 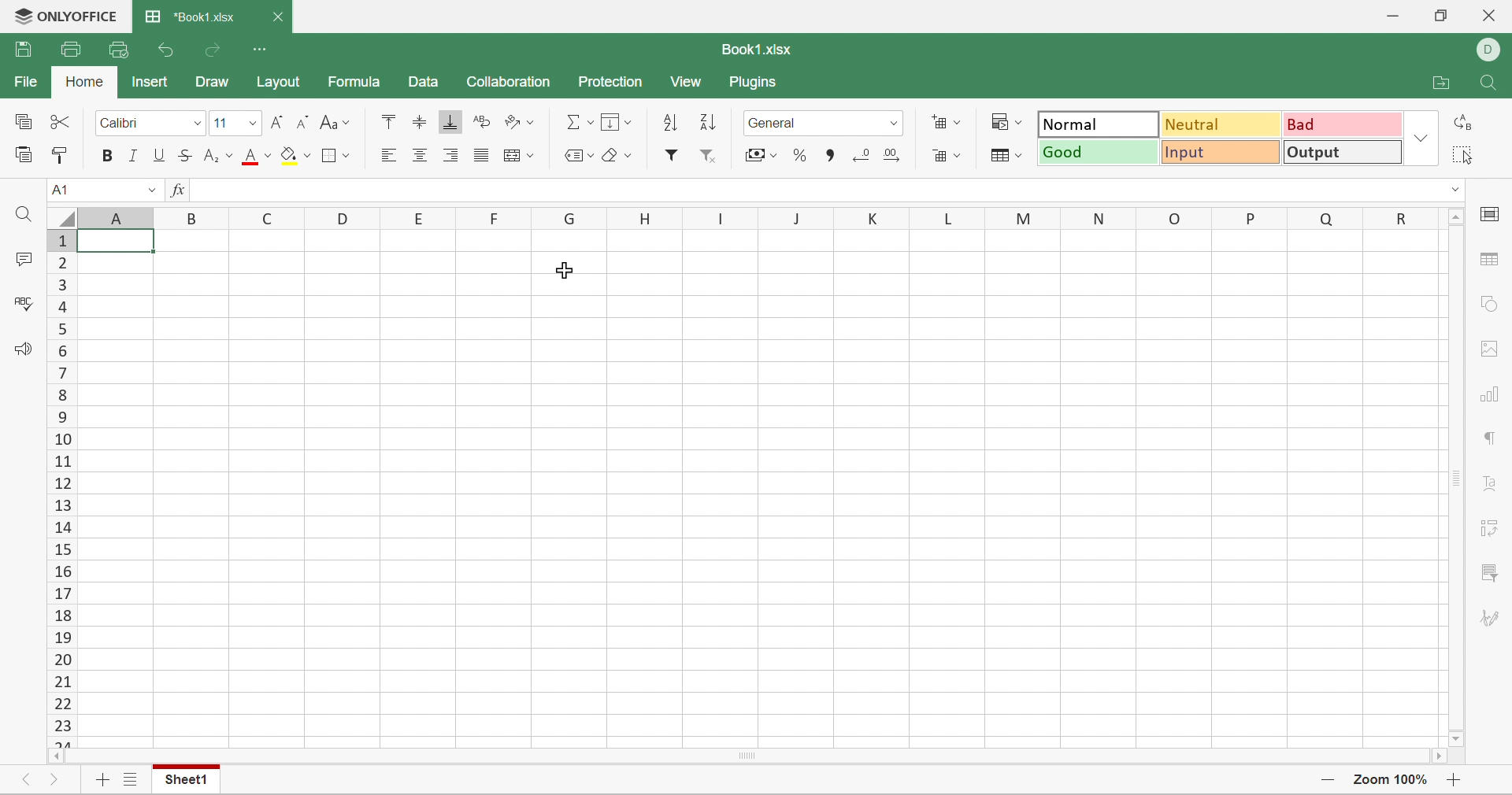 What do you see at coordinates (613, 121) in the screenshot?
I see `` at bounding box center [613, 121].